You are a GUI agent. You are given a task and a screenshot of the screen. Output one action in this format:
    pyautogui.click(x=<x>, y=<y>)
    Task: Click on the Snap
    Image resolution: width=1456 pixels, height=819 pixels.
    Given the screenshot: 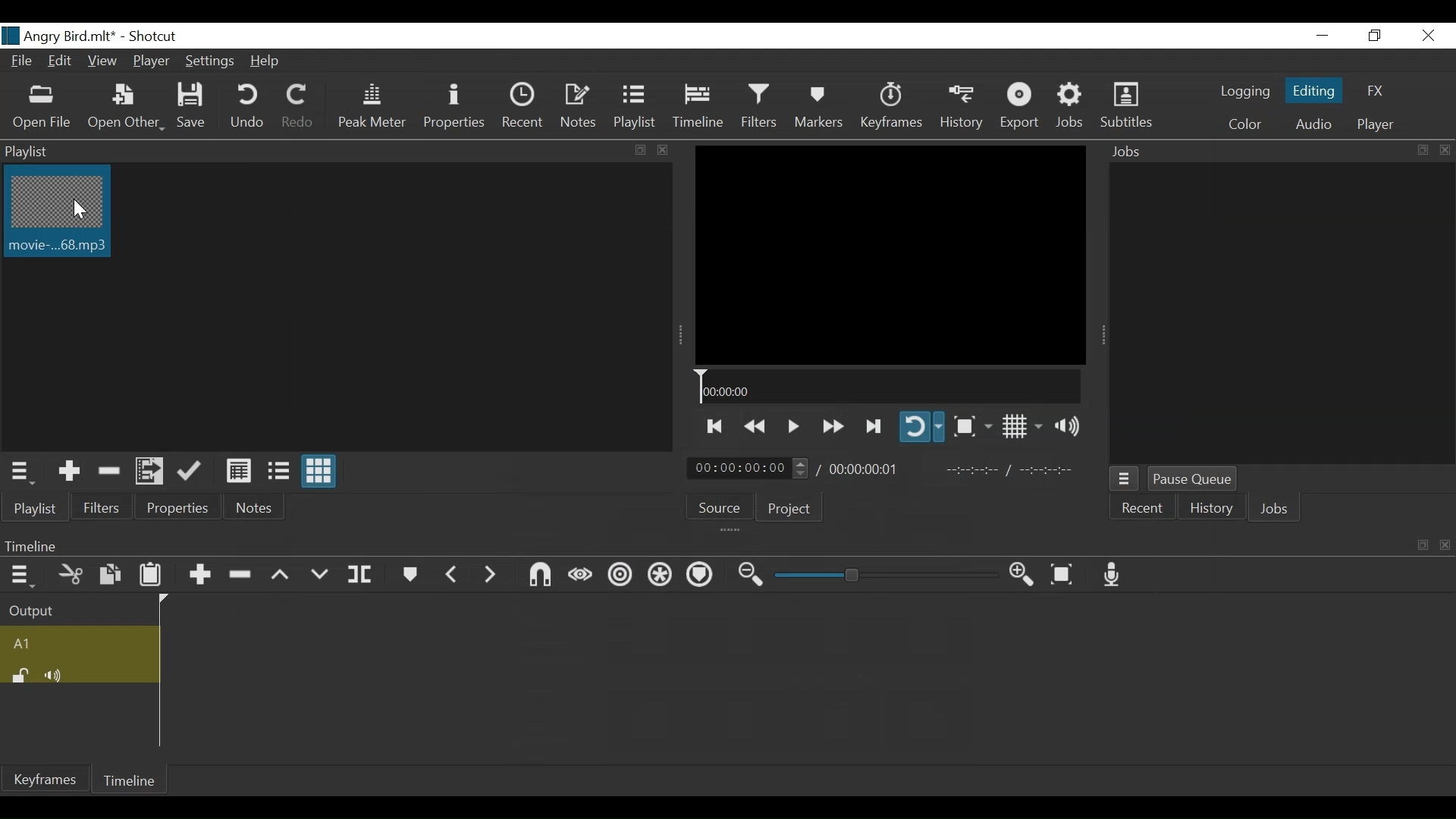 What is the action you would take?
    pyautogui.click(x=541, y=575)
    